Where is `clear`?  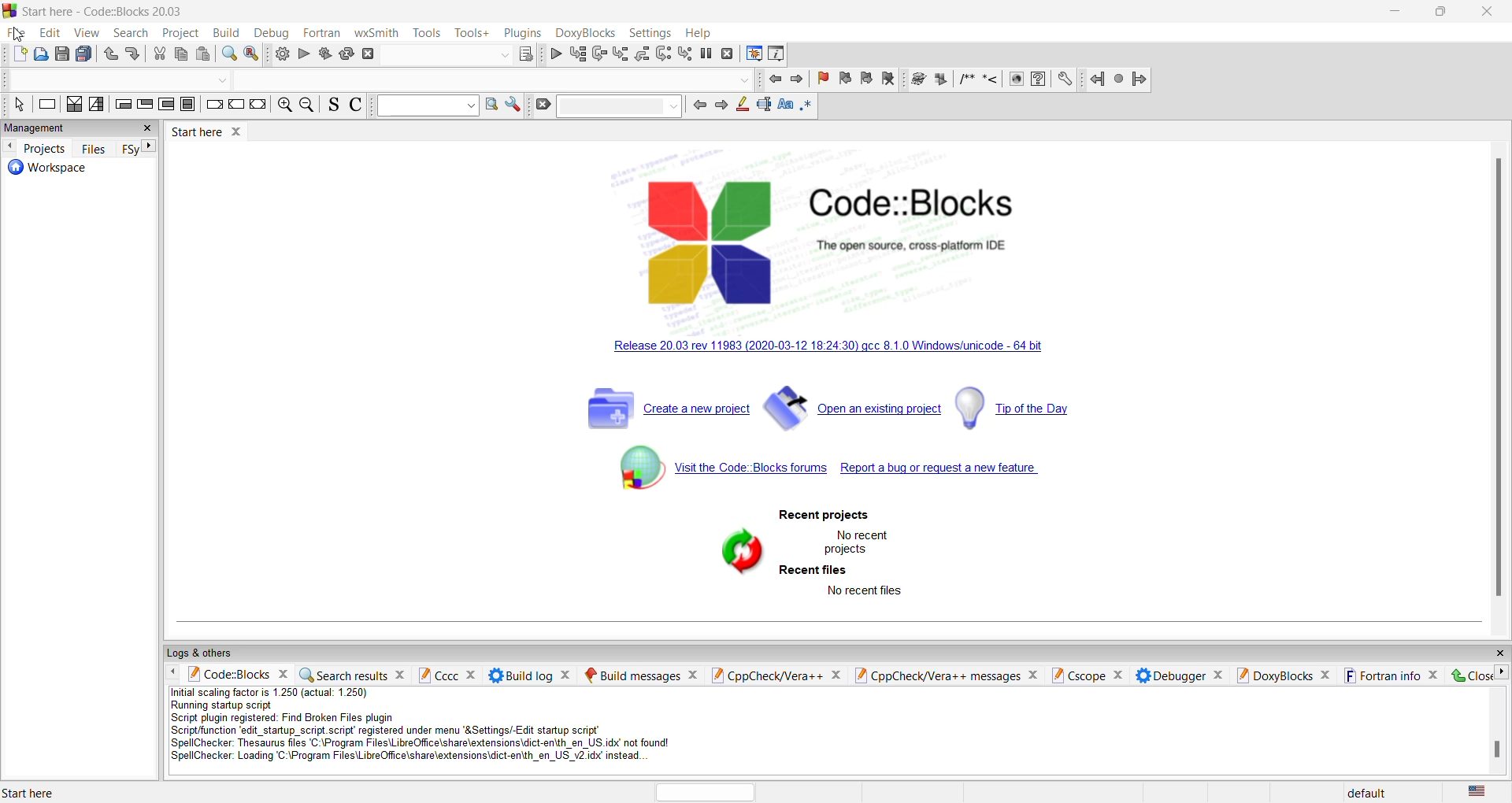 clear is located at coordinates (543, 105).